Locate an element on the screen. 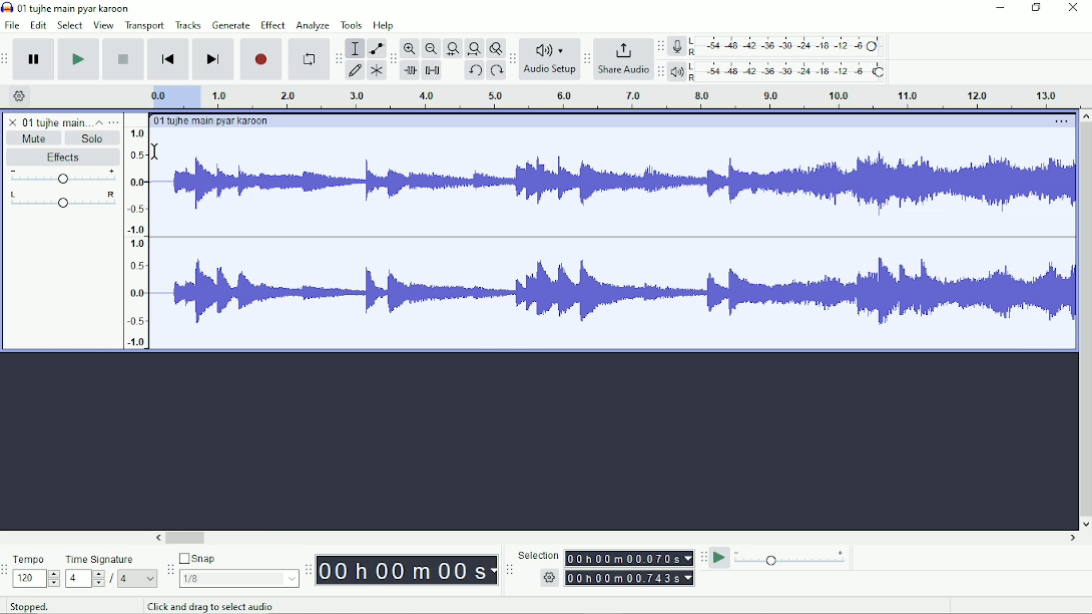  Snap is located at coordinates (238, 559).